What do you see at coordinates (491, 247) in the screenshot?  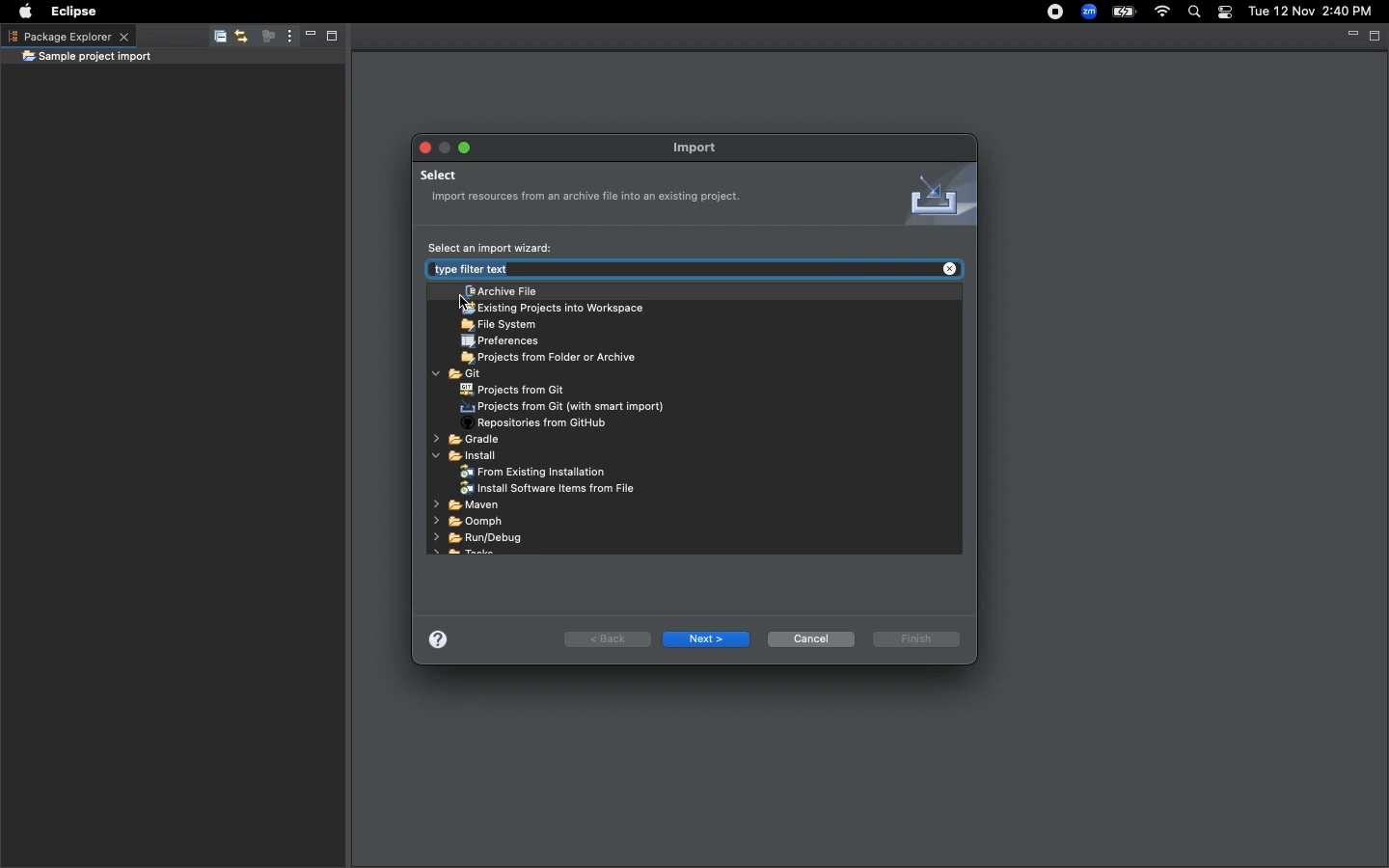 I see `Select an import wizard` at bounding box center [491, 247].